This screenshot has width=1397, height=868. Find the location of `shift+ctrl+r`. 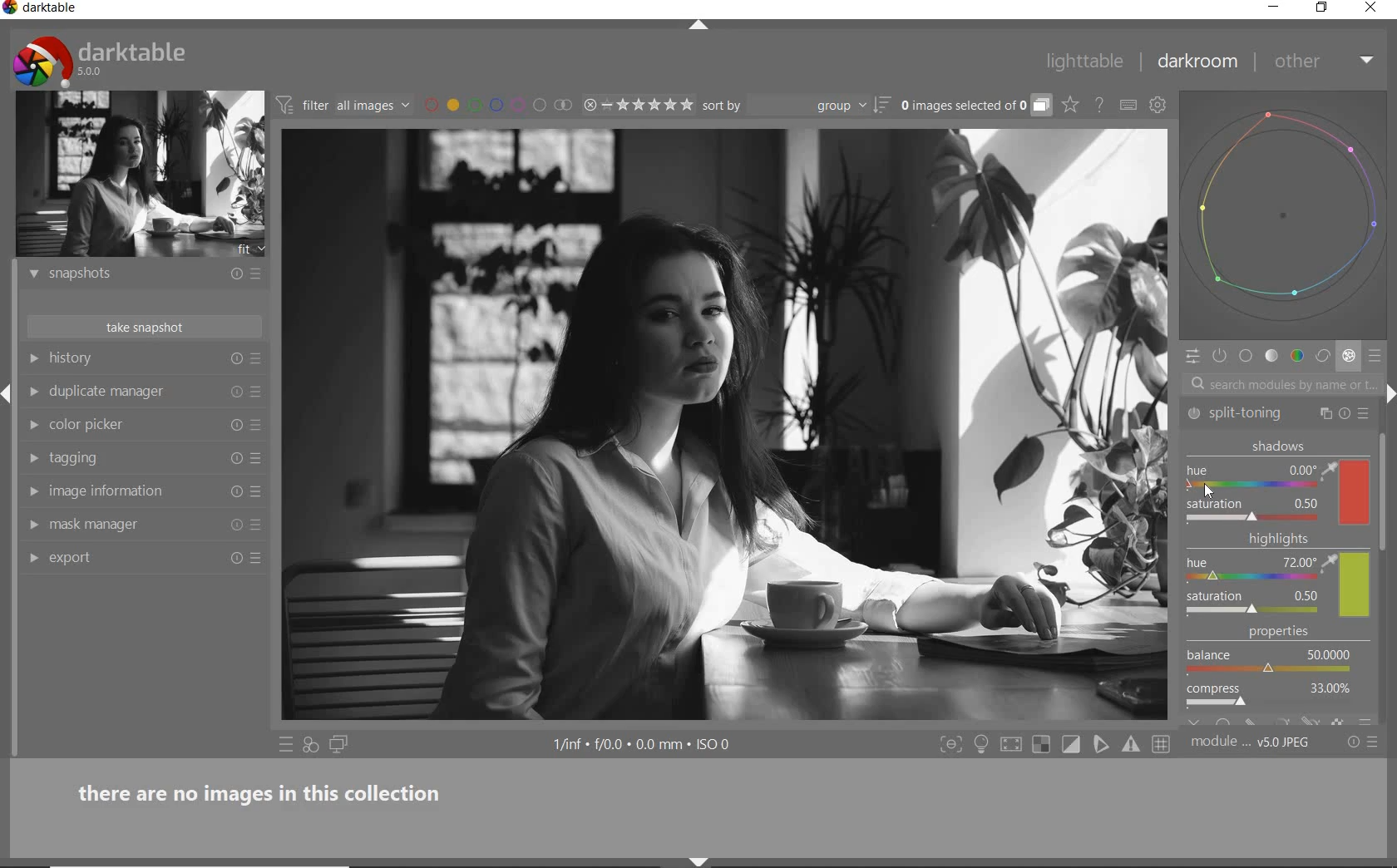

shift+ctrl+r is located at coordinates (1389, 388).